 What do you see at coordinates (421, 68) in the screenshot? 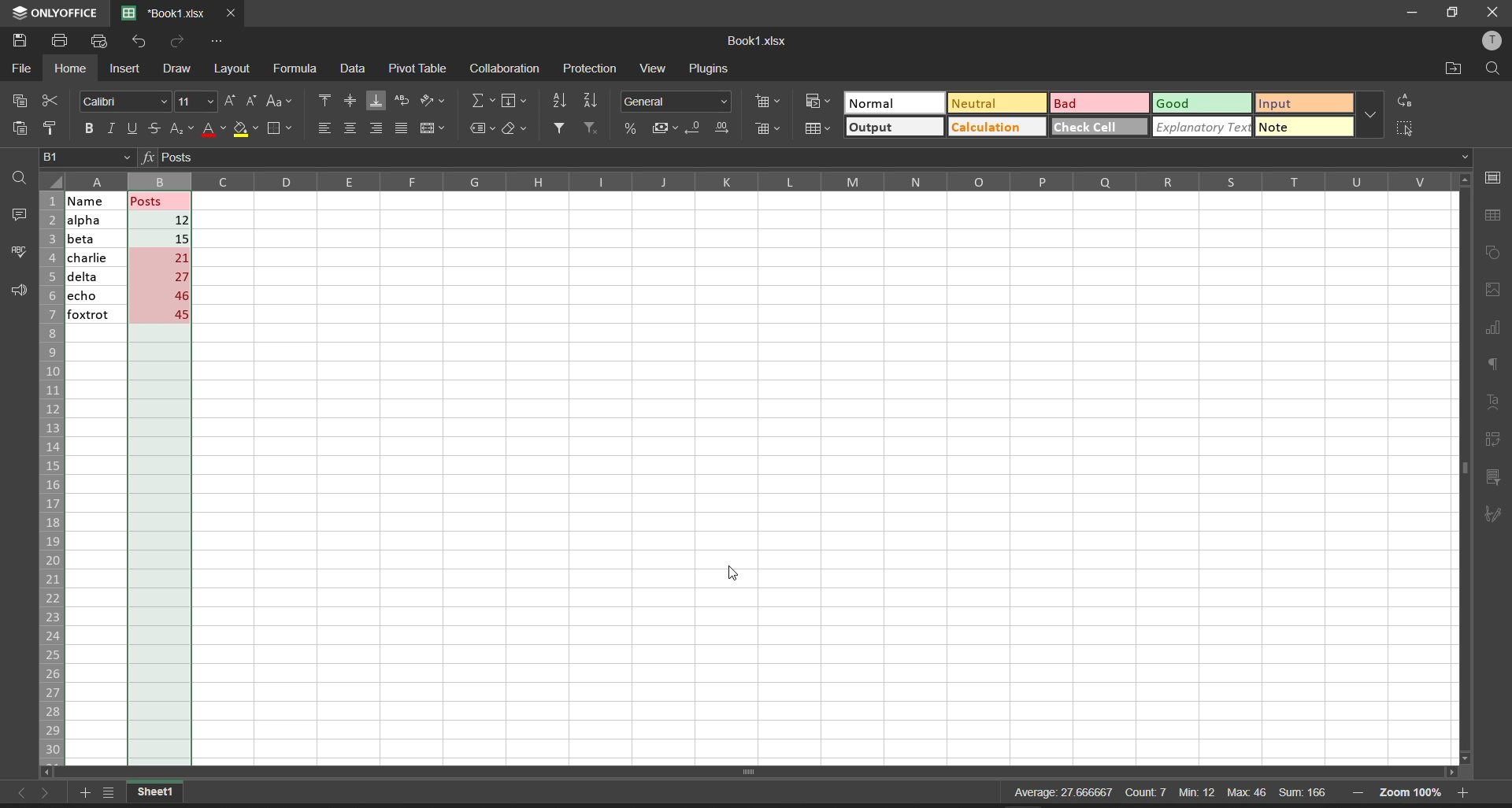
I see `pivot table` at bounding box center [421, 68].